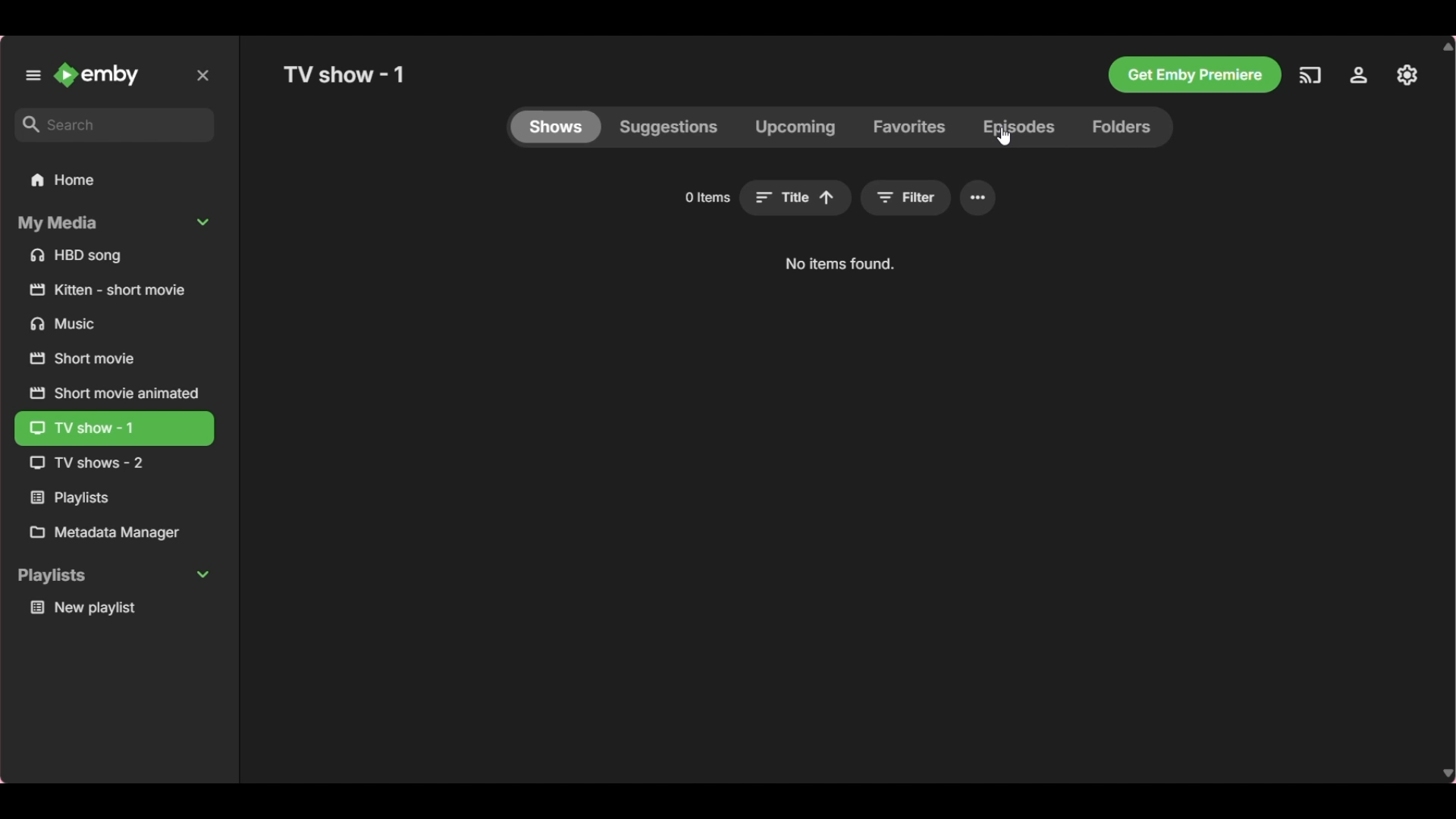 This screenshot has height=819, width=1456. I want to click on More settings, so click(977, 198).